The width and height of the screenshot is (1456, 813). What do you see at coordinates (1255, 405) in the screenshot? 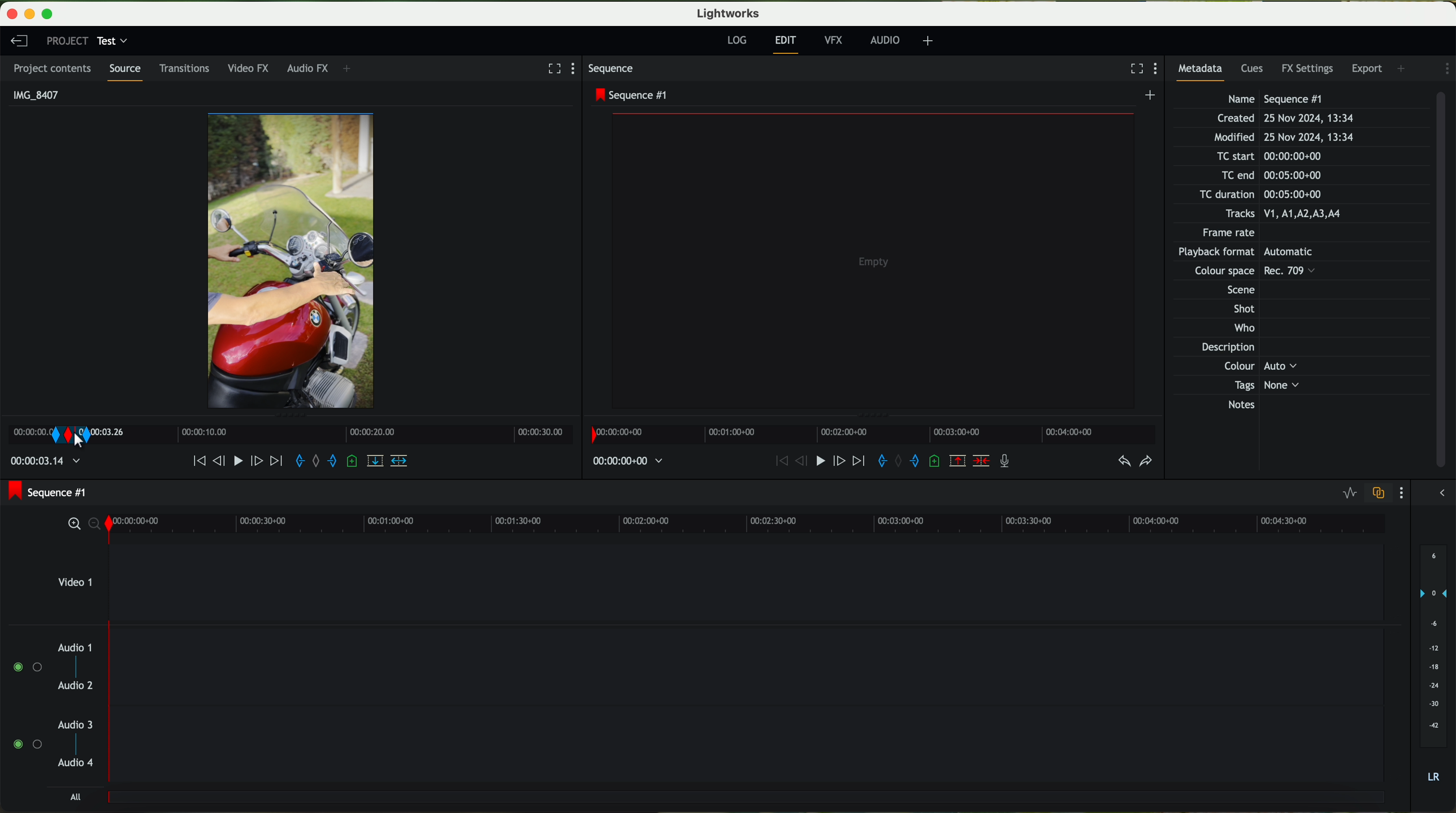
I see `Notes` at bounding box center [1255, 405].